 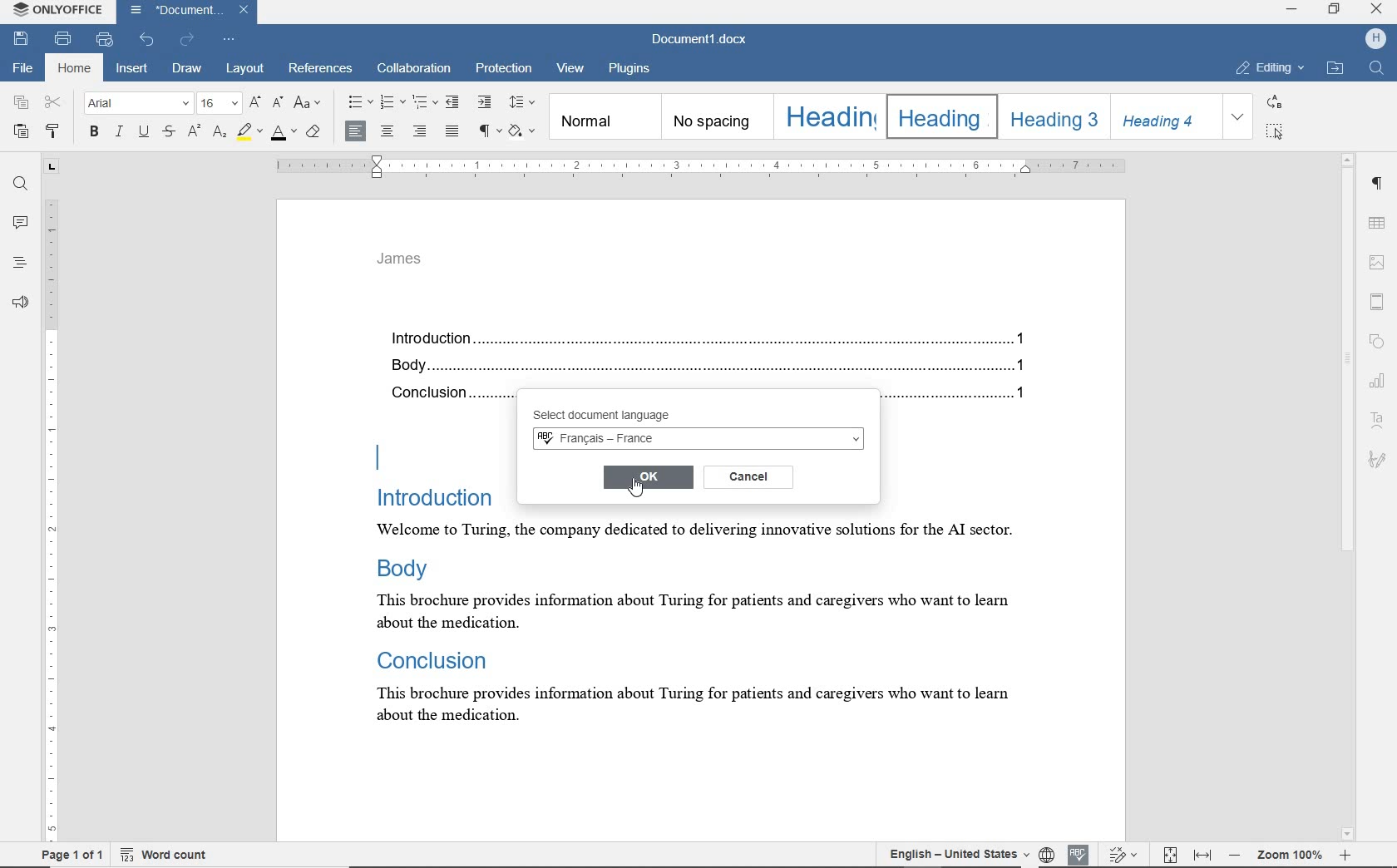 What do you see at coordinates (65, 38) in the screenshot?
I see `print` at bounding box center [65, 38].